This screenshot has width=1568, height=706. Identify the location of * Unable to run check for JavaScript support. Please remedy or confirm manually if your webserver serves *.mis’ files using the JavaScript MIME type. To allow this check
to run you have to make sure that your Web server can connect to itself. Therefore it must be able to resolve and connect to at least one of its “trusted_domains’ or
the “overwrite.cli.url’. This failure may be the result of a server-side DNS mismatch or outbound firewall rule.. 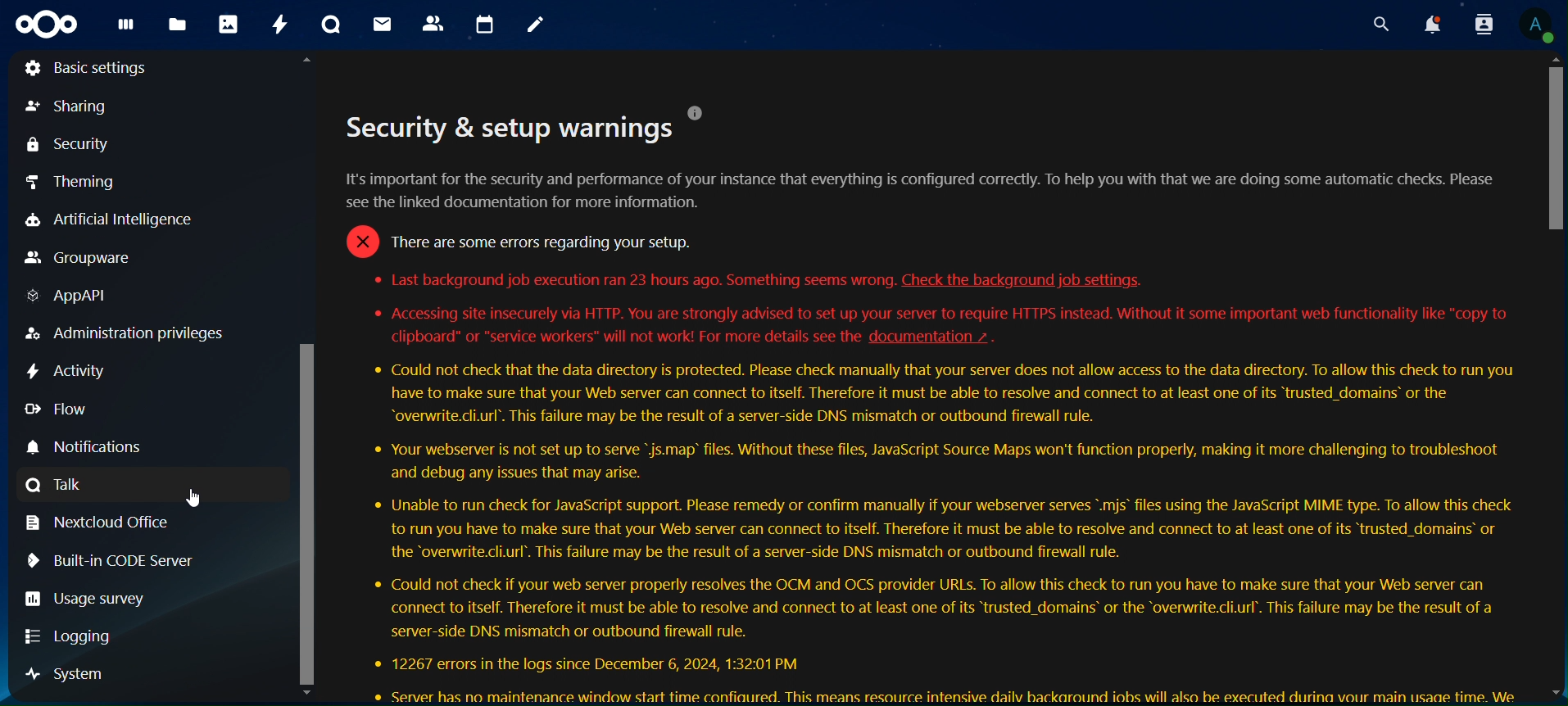
(936, 529).